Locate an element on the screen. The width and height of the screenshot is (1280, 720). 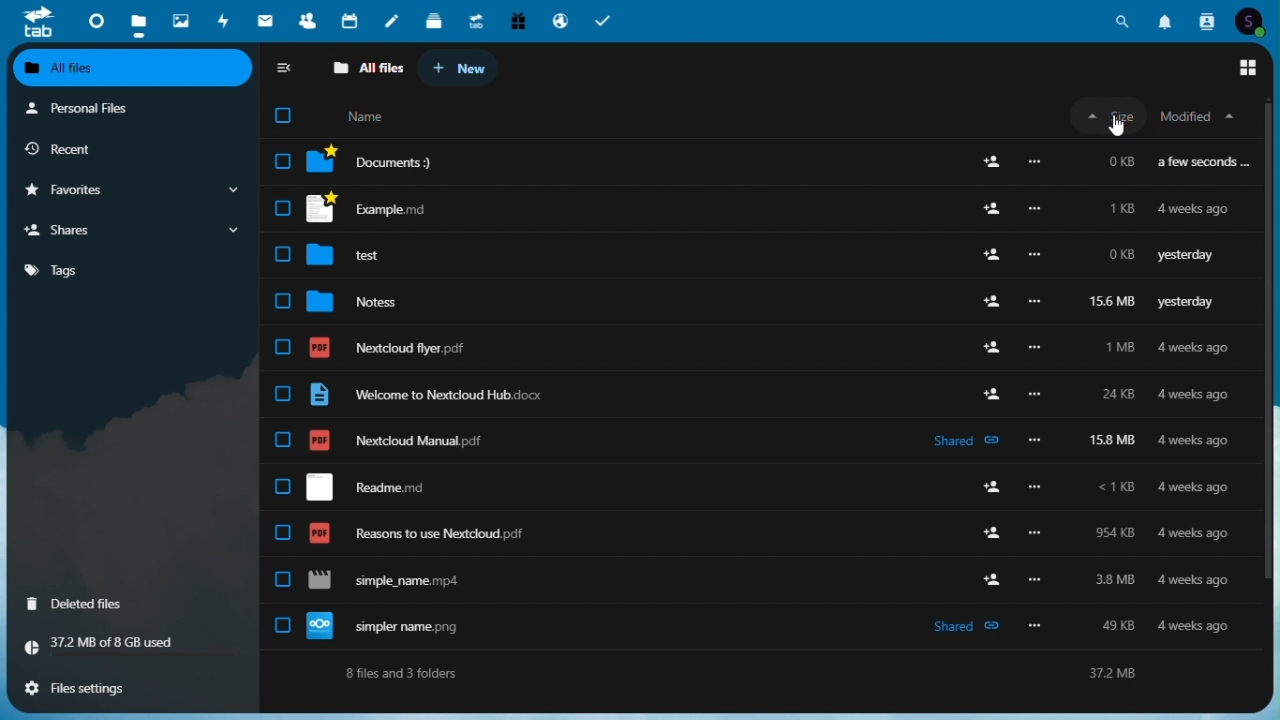
size is located at coordinates (1106, 116).